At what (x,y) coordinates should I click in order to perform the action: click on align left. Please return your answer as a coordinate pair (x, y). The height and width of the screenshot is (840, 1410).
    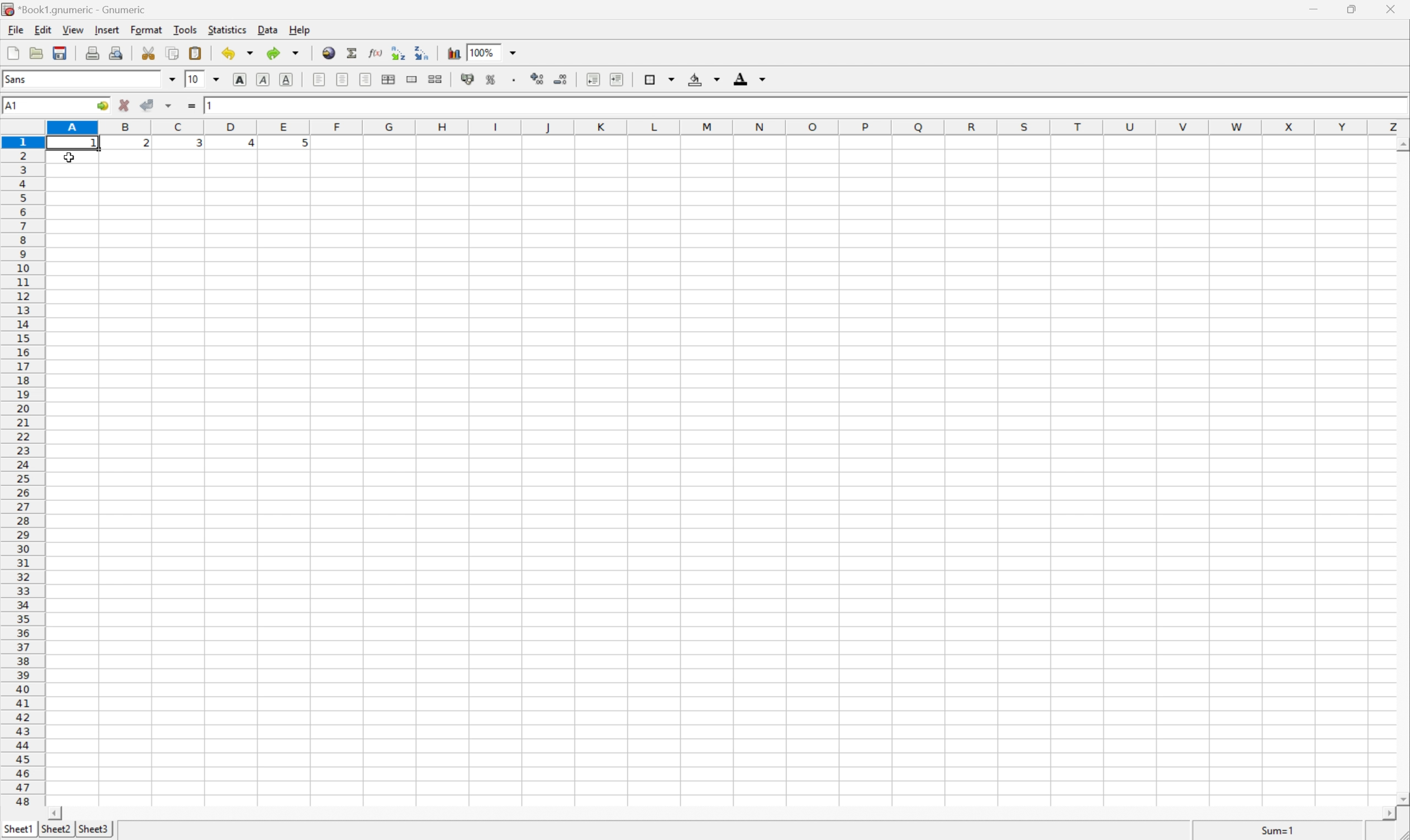
    Looking at the image, I should click on (320, 79).